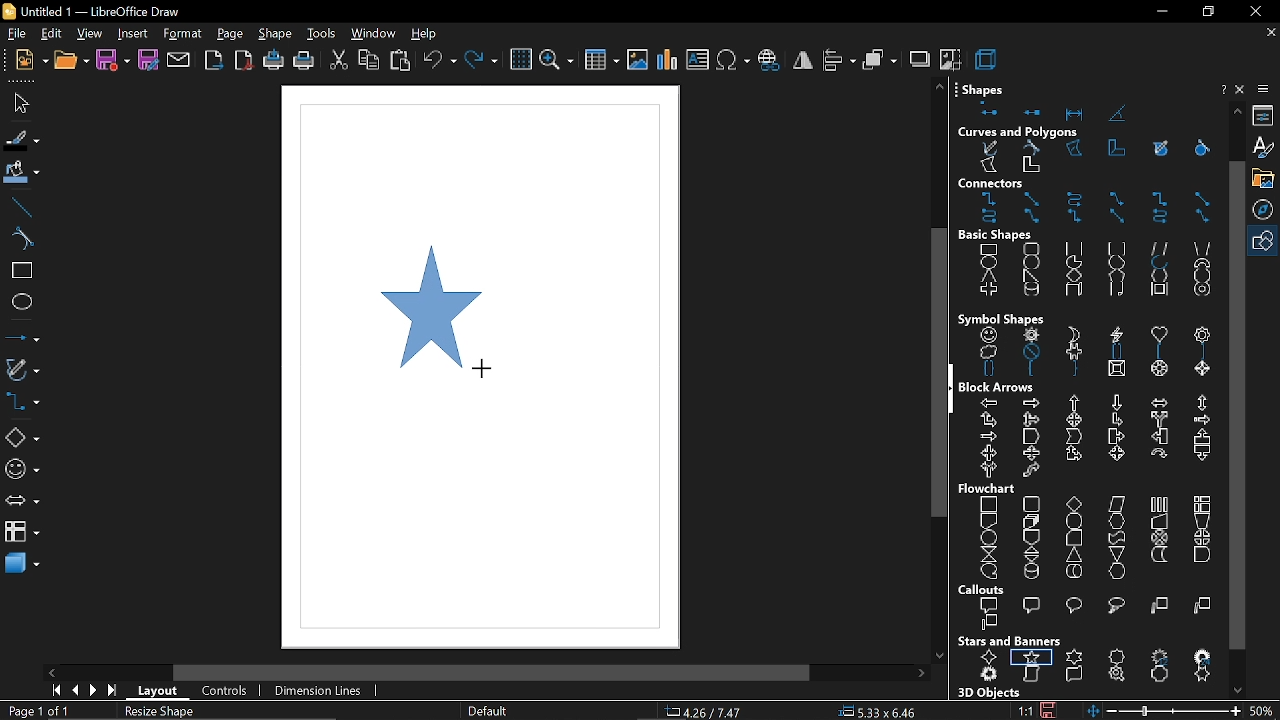  What do you see at coordinates (425, 304) in the screenshot?
I see `star shape` at bounding box center [425, 304].